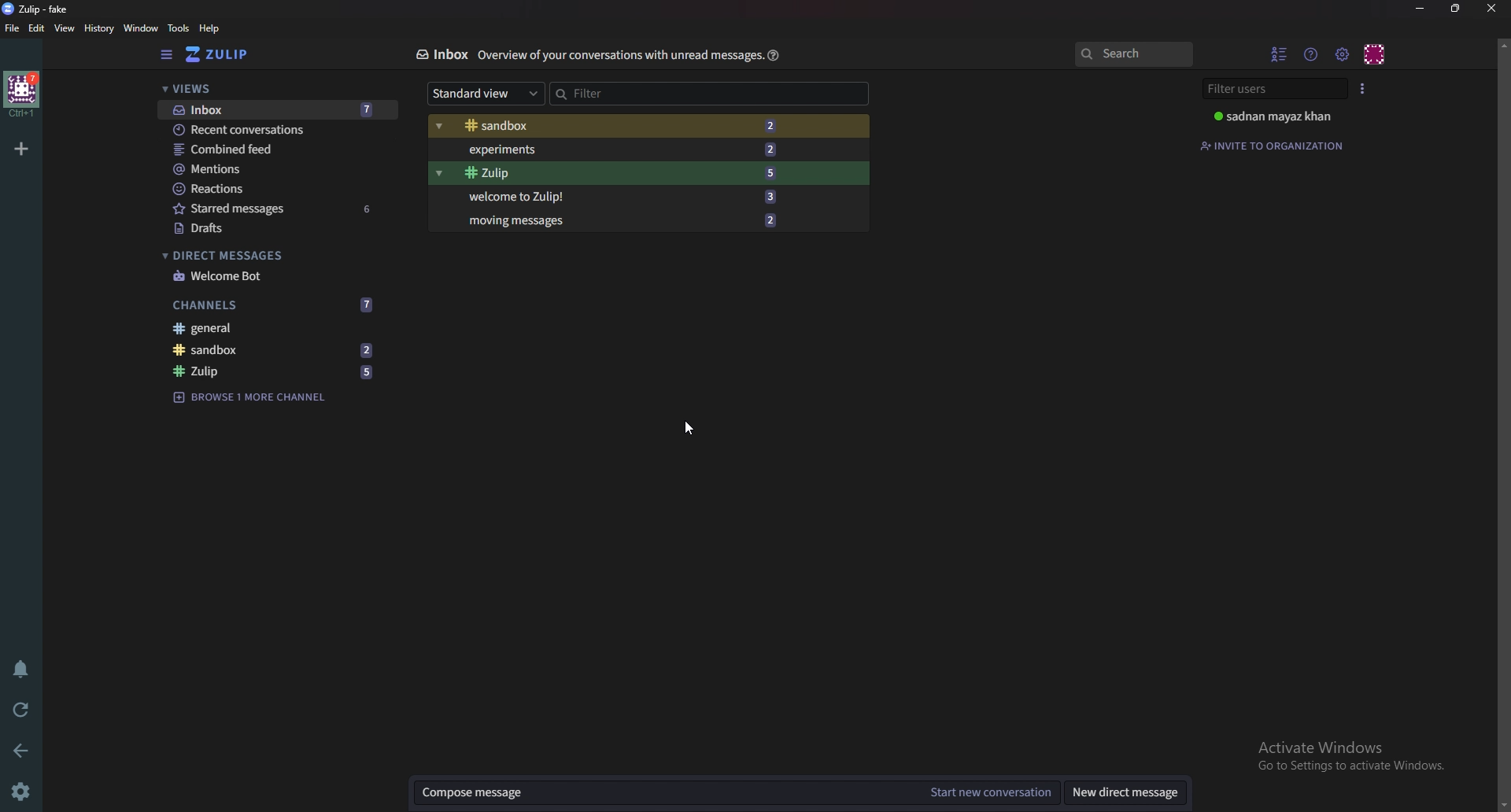 Image resolution: width=1511 pixels, height=812 pixels. What do you see at coordinates (20, 793) in the screenshot?
I see `Settings` at bounding box center [20, 793].